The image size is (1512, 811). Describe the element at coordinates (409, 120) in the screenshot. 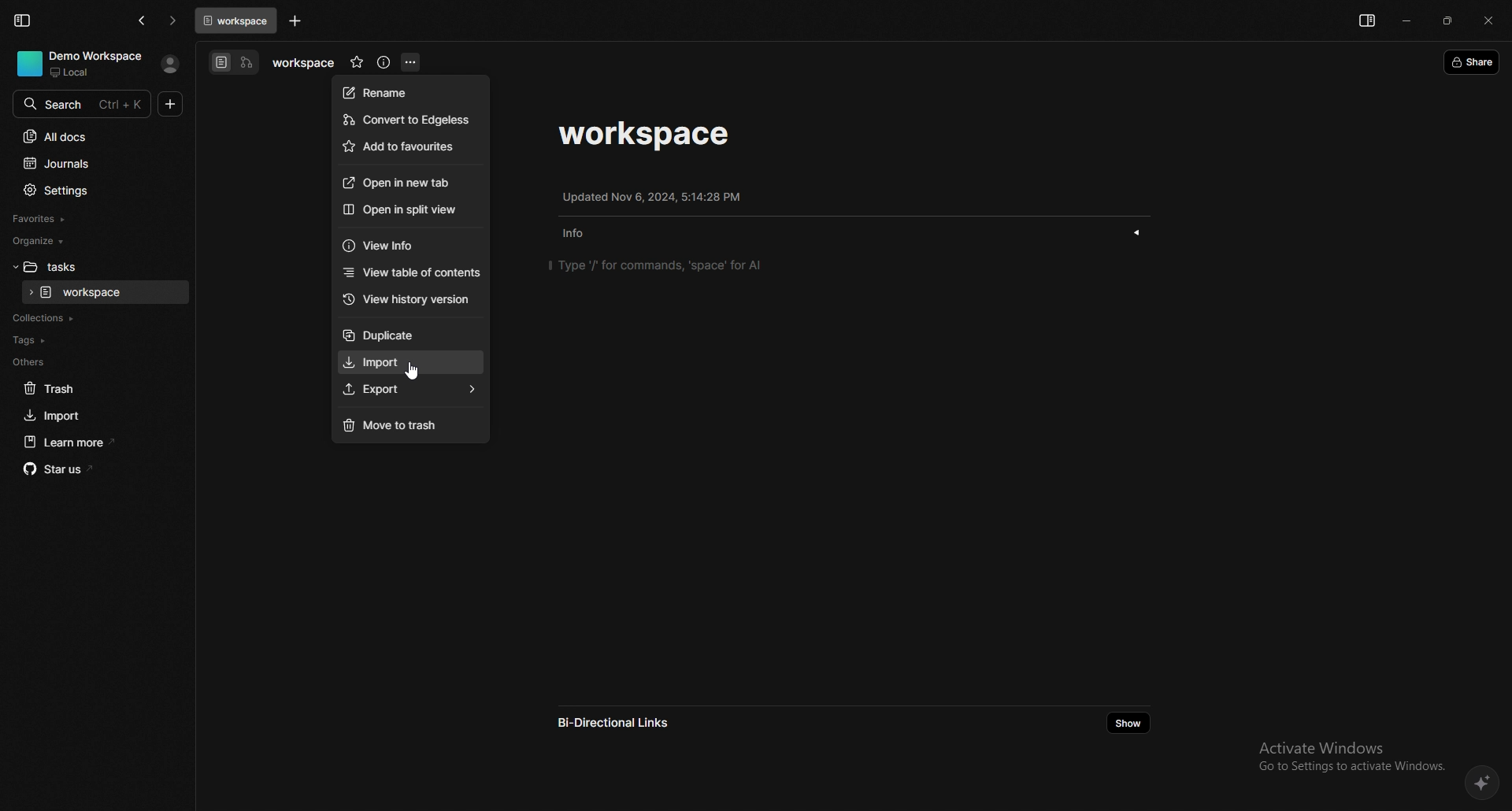

I see `convert to edgeless` at that location.